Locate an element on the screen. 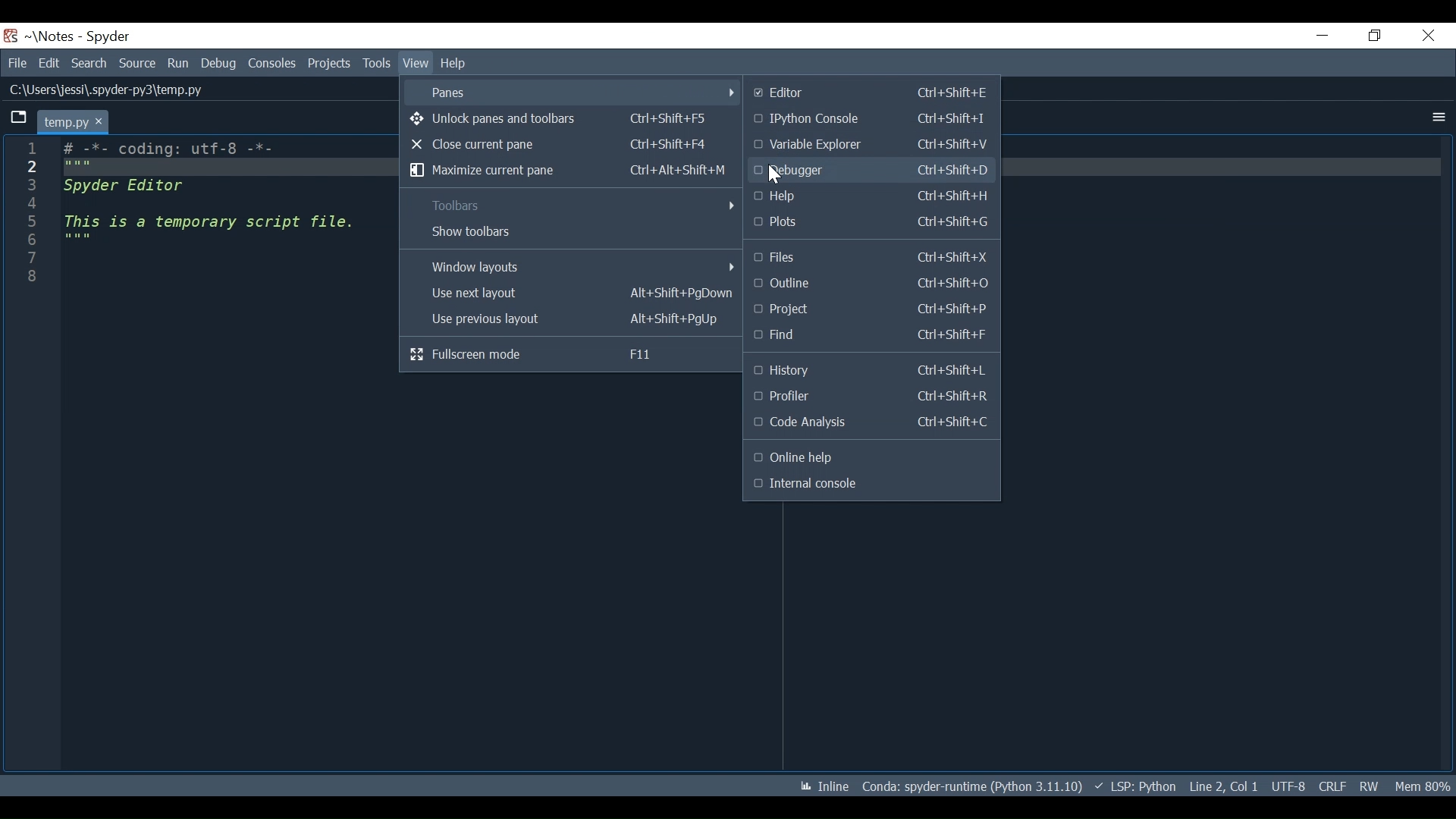  Undock panes and toolbars is located at coordinates (559, 121).